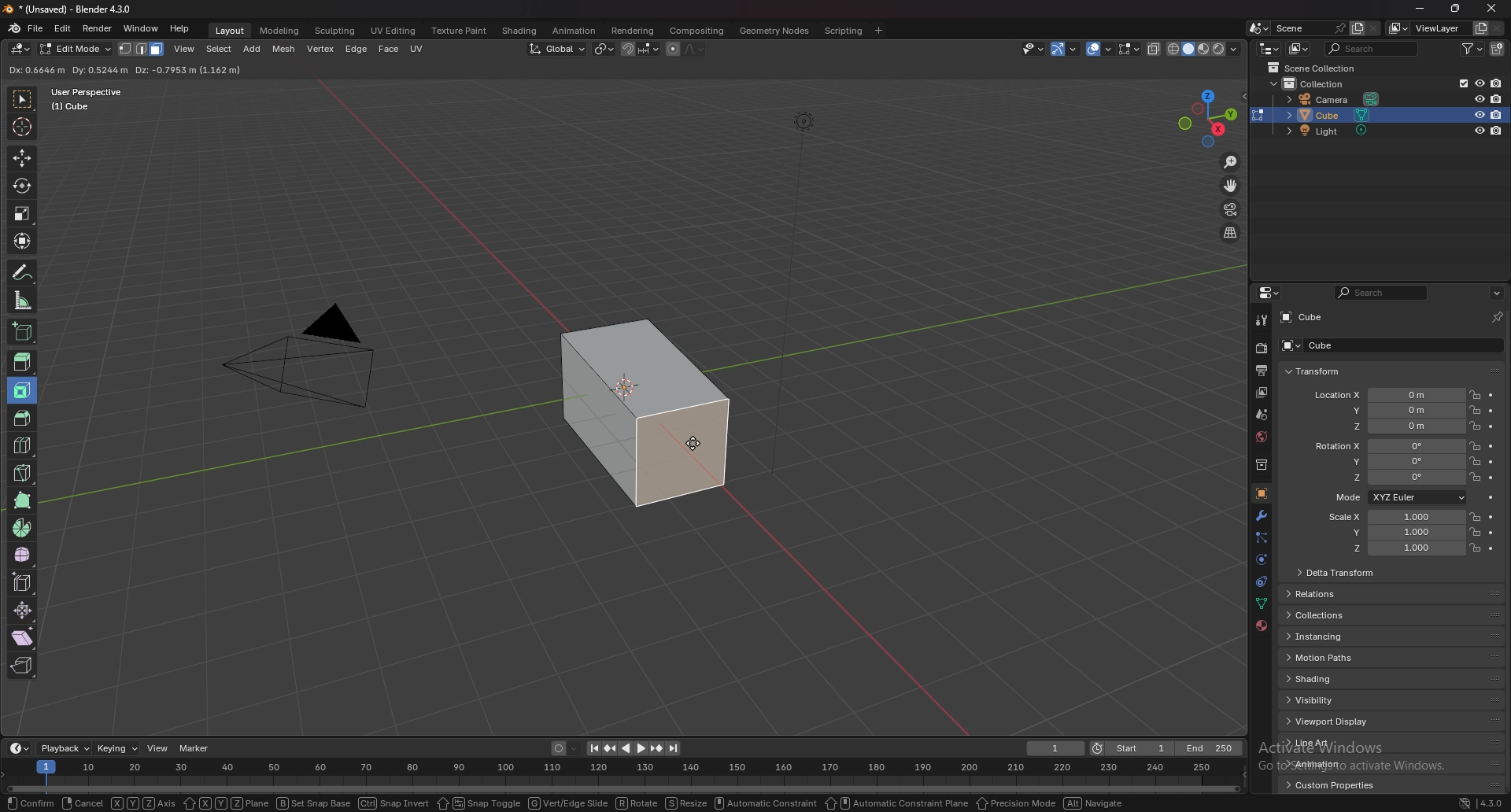 Image resolution: width=1511 pixels, height=812 pixels. Describe the element at coordinates (35, 28) in the screenshot. I see `file` at that location.